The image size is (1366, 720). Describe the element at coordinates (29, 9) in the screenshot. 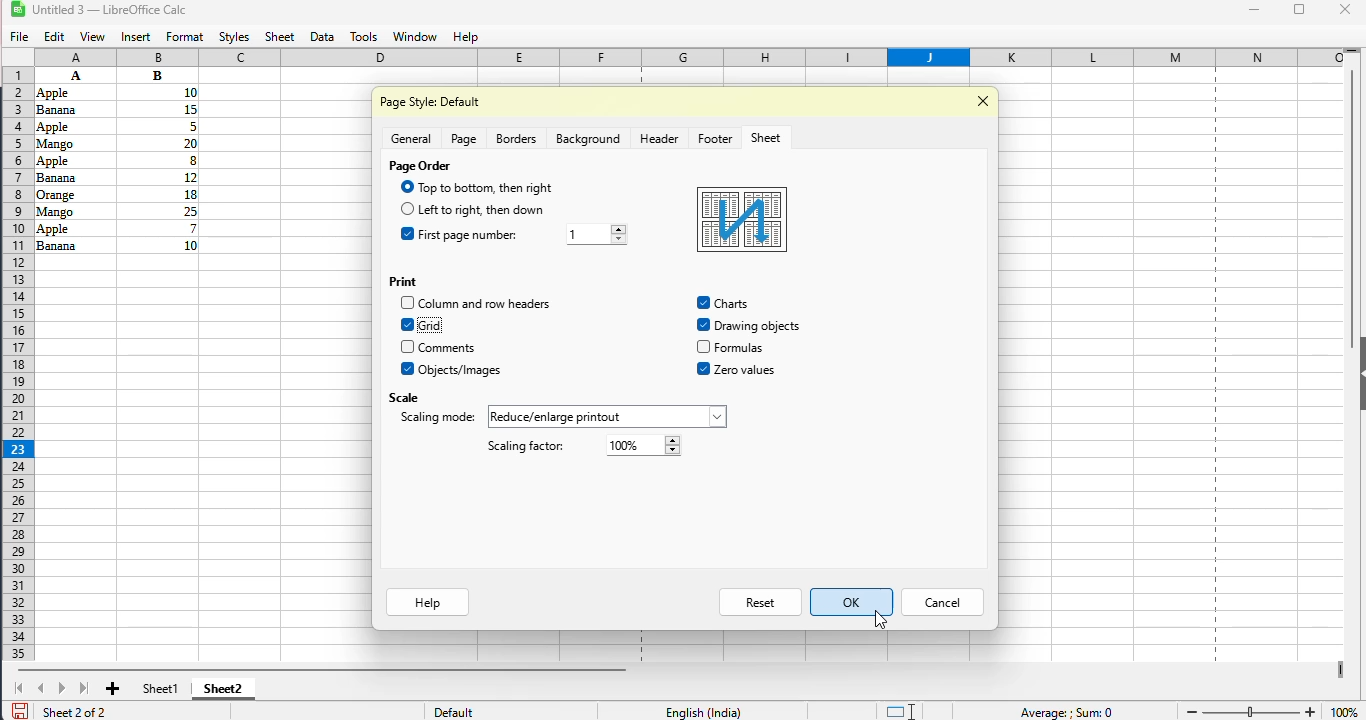

I see `LibreOffice logo` at that location.